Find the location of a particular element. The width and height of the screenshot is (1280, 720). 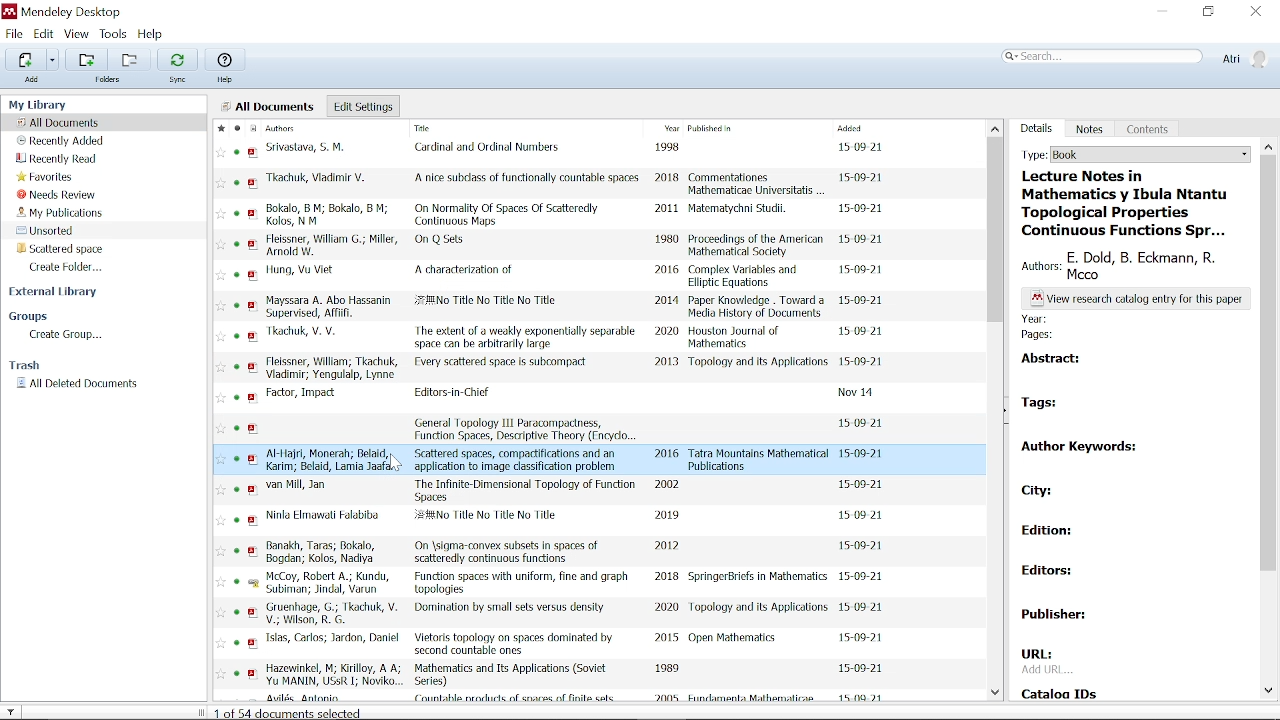

title is located at coordinates (464, 269).